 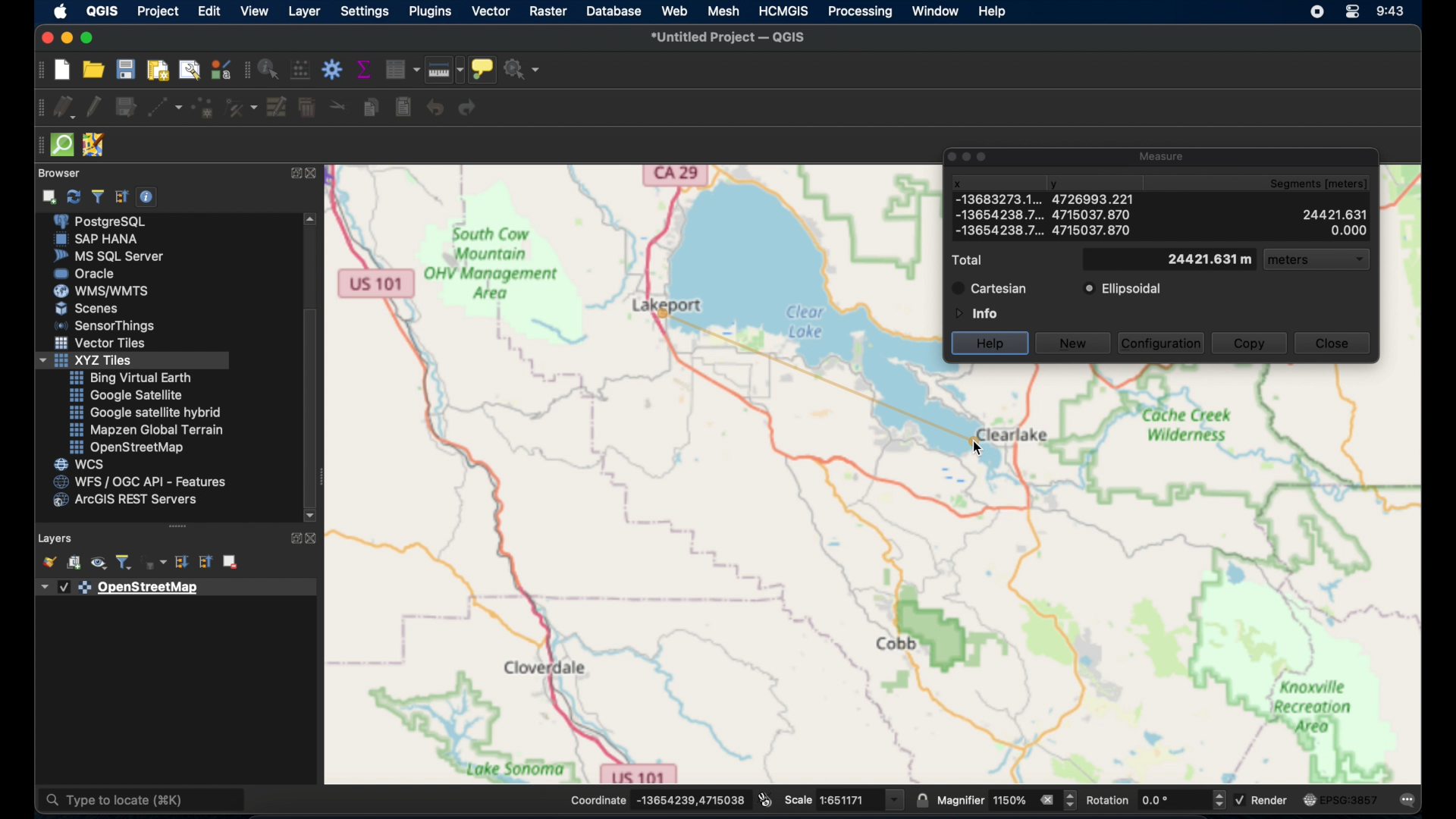 What do you see at coordinates (1334, 212) in the screenshot?
I see `24421.631` at bounding box center [1334, 212].